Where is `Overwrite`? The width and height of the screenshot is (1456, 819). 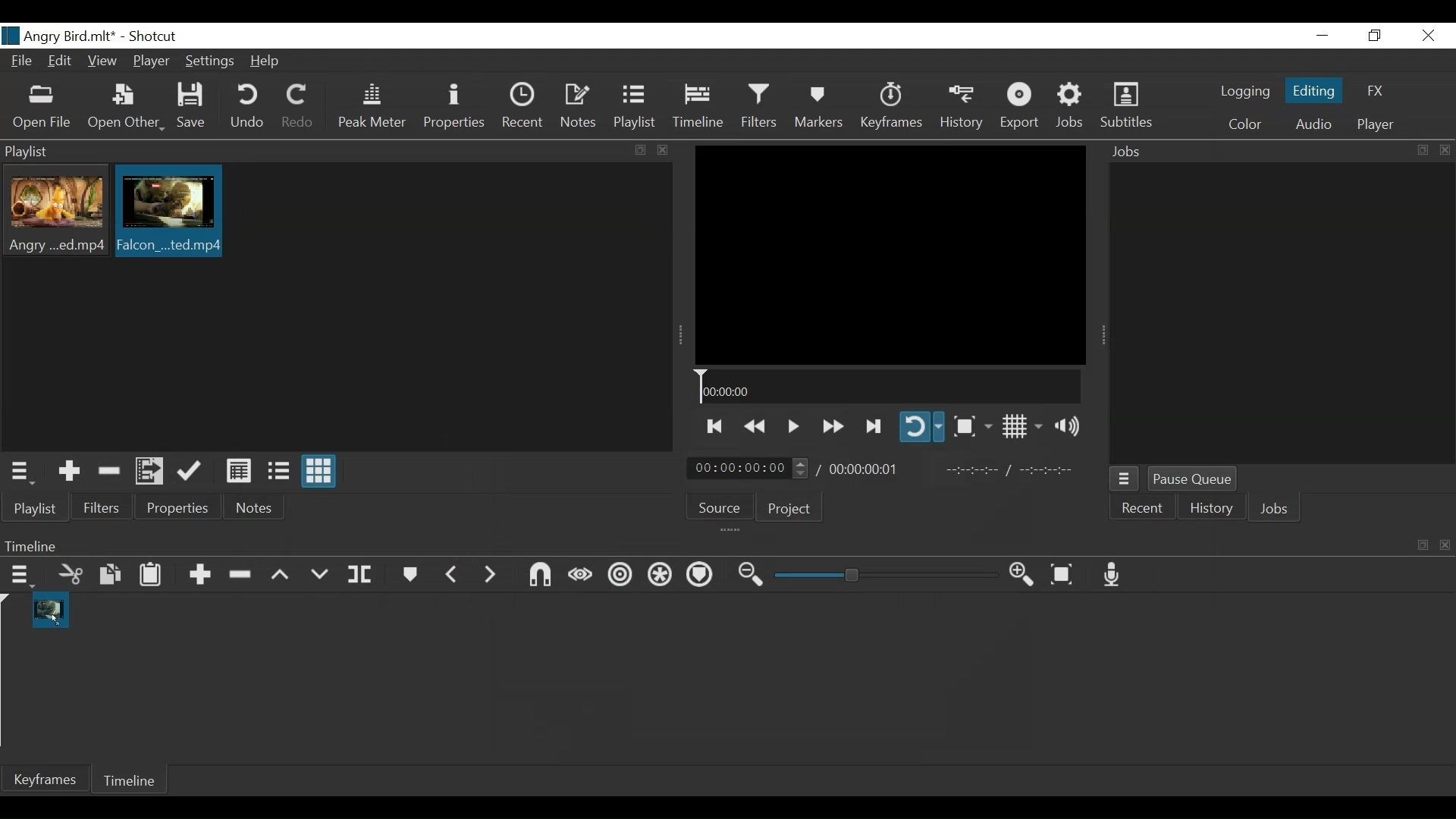
Overwrite is located at coordinates (320, 575).